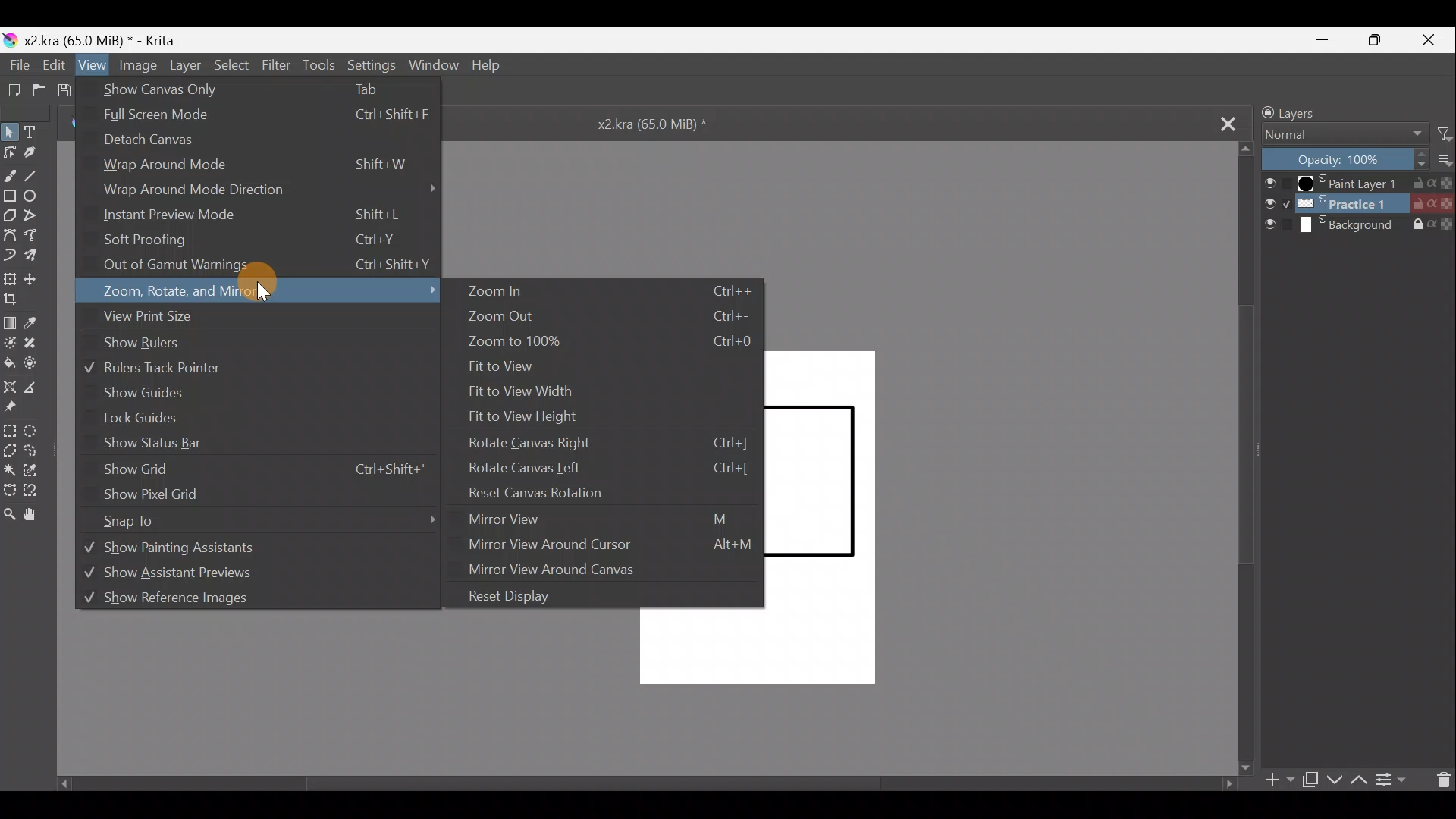 The width and height of the screenshot is (1456, 819). Describe the element at coordinates (1392, 777) in the screenshot. I see `View/change layer properties` at that location.